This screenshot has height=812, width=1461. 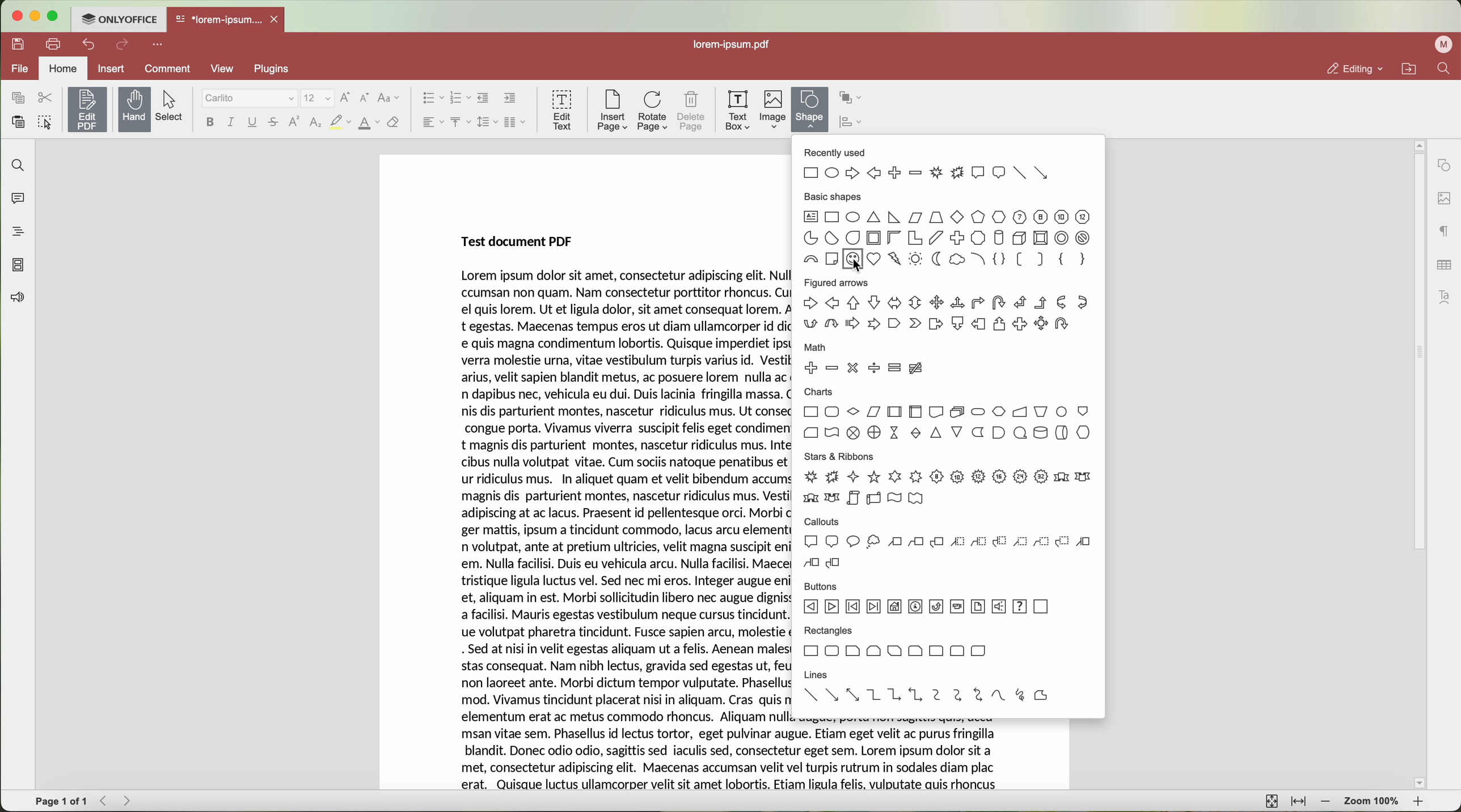 I want to click on insert columns, so click(x=516, y=122).